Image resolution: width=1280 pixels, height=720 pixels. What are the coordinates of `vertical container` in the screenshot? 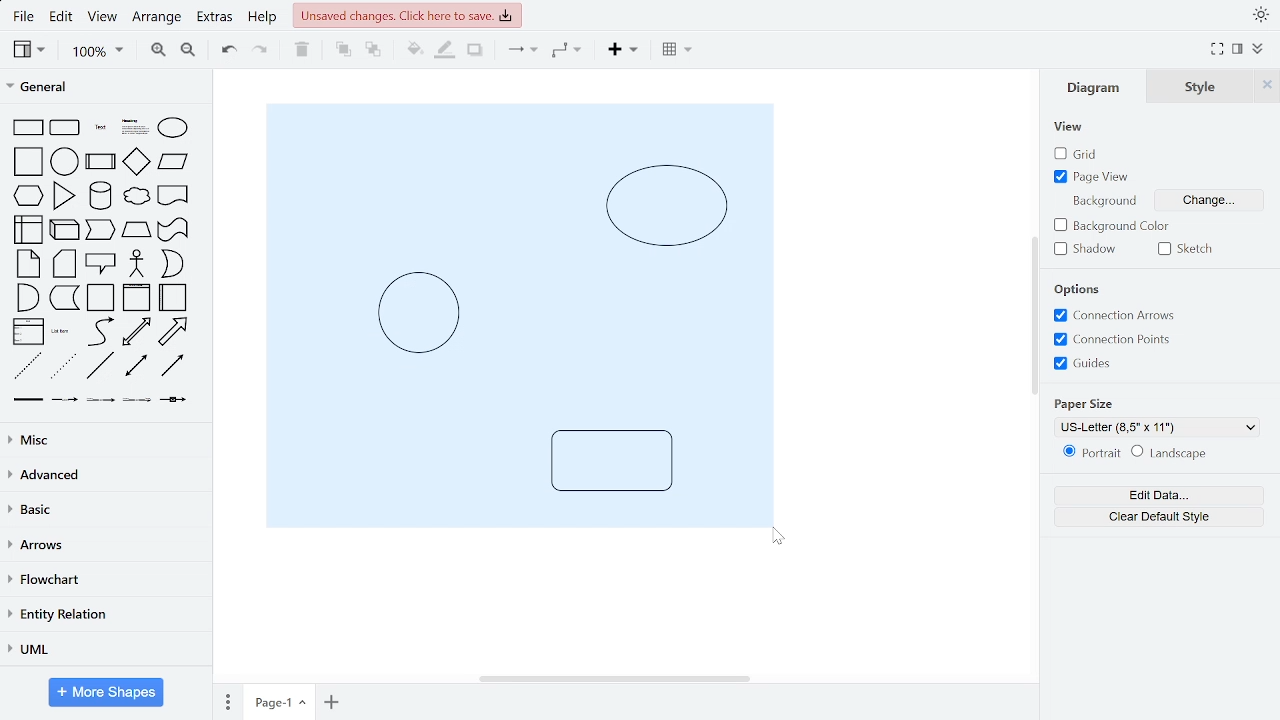 It's located at (136, 299).